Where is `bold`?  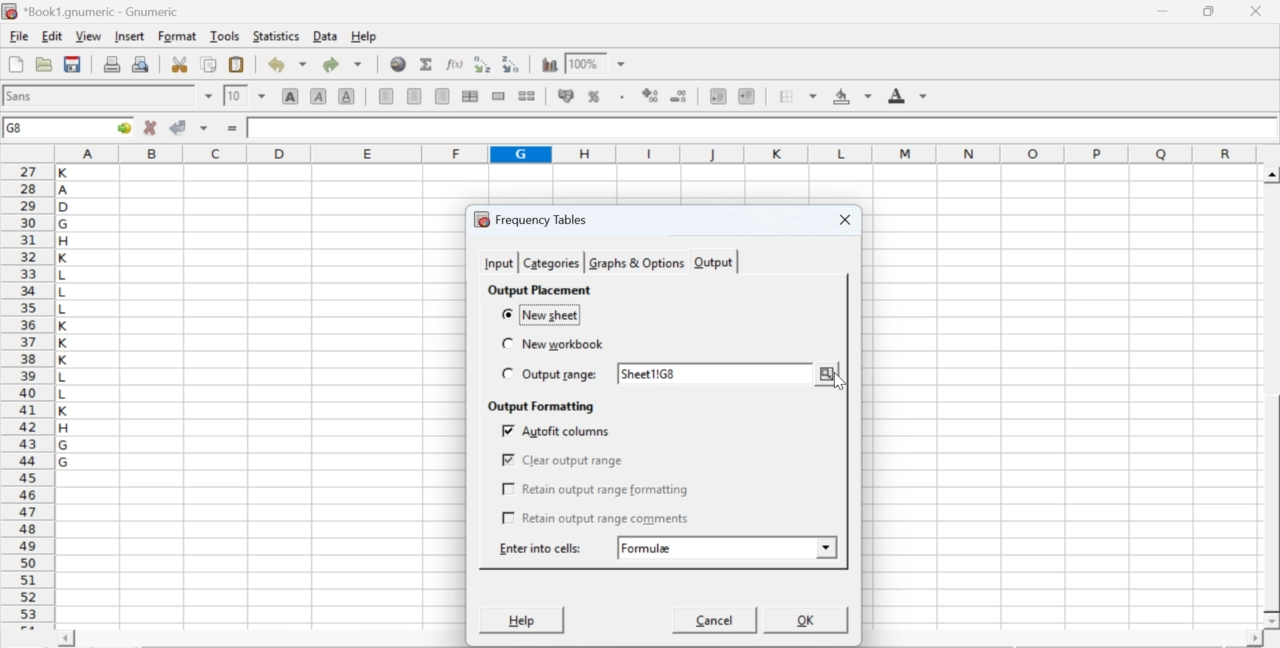
bold is located at coordinates (291, 95).